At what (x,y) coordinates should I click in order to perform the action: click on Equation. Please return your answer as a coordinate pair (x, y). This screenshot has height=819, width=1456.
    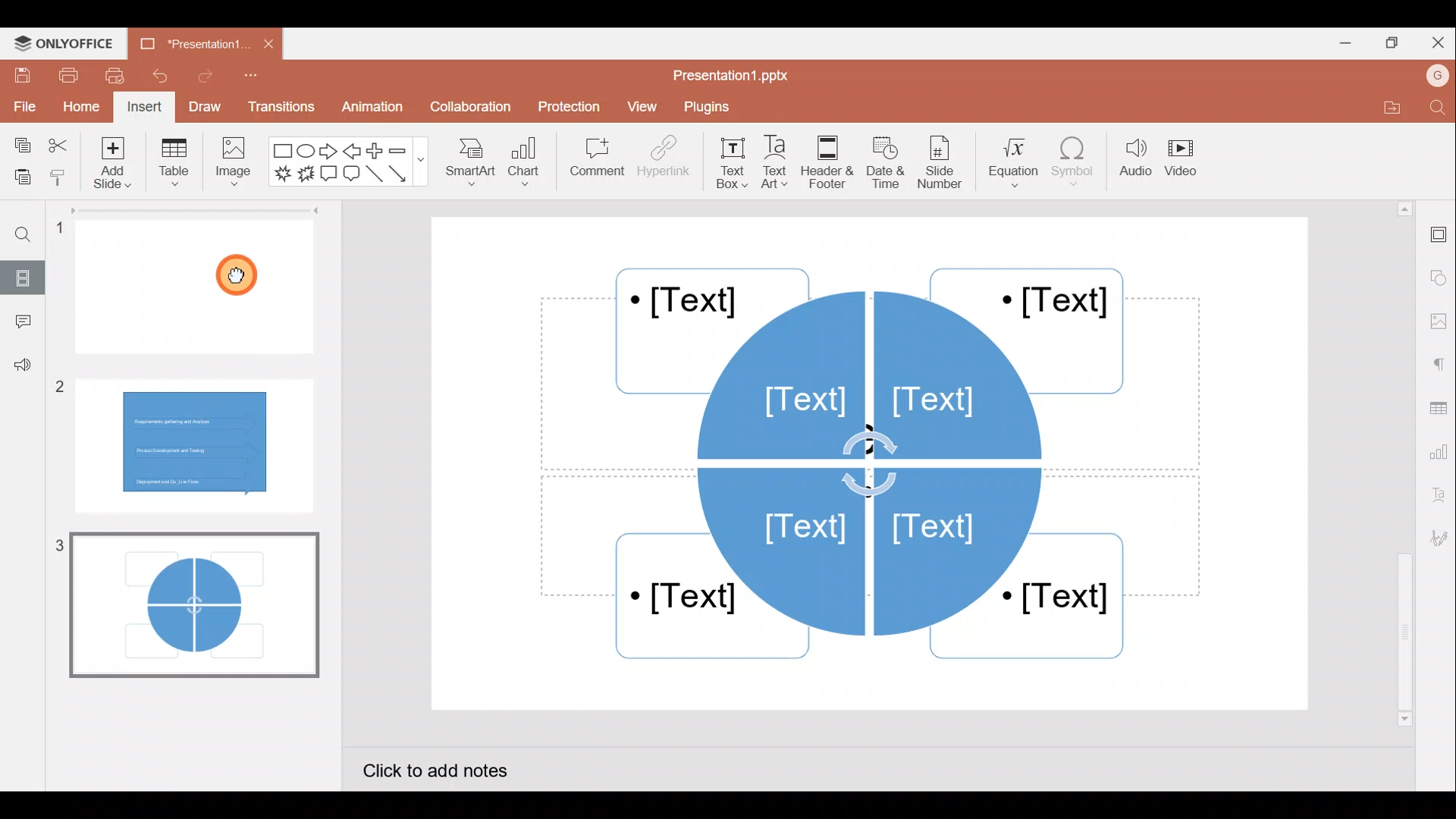
    Looking at the image, I should click on (1009, 163).